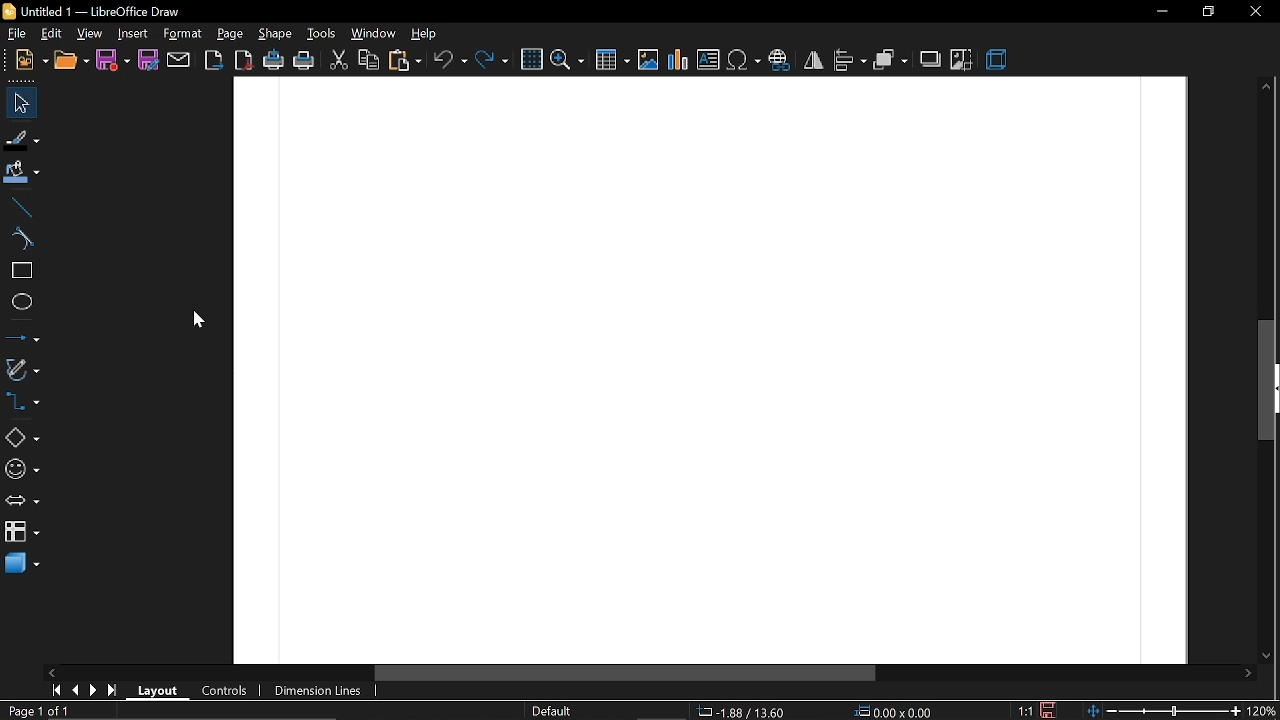  Describe the element at coordinates (531, 59) in the screenshot. I see `grid` at that location.